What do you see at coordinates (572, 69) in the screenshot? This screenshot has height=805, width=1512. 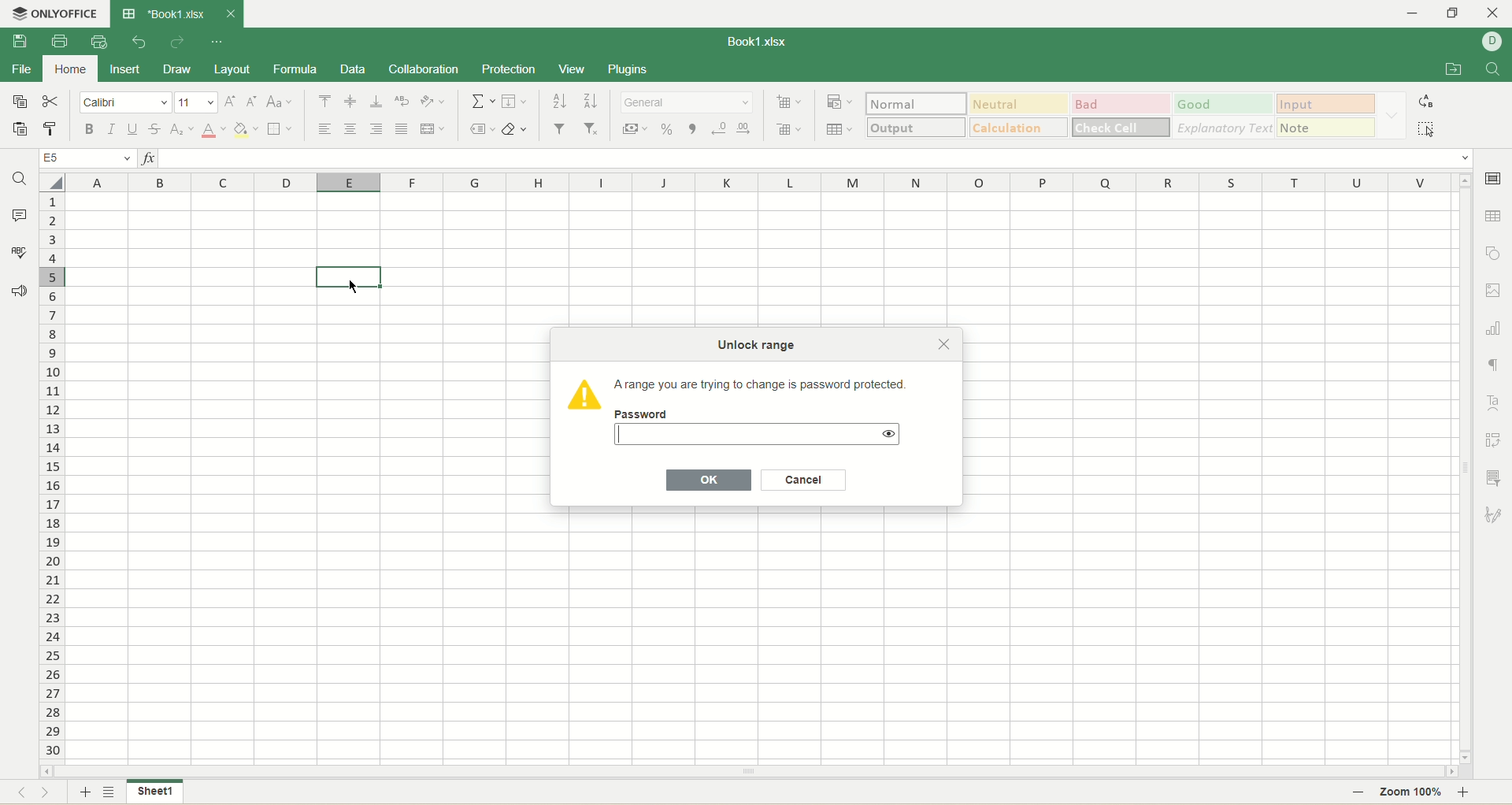 I see `view` at bounding box center [572, 69].